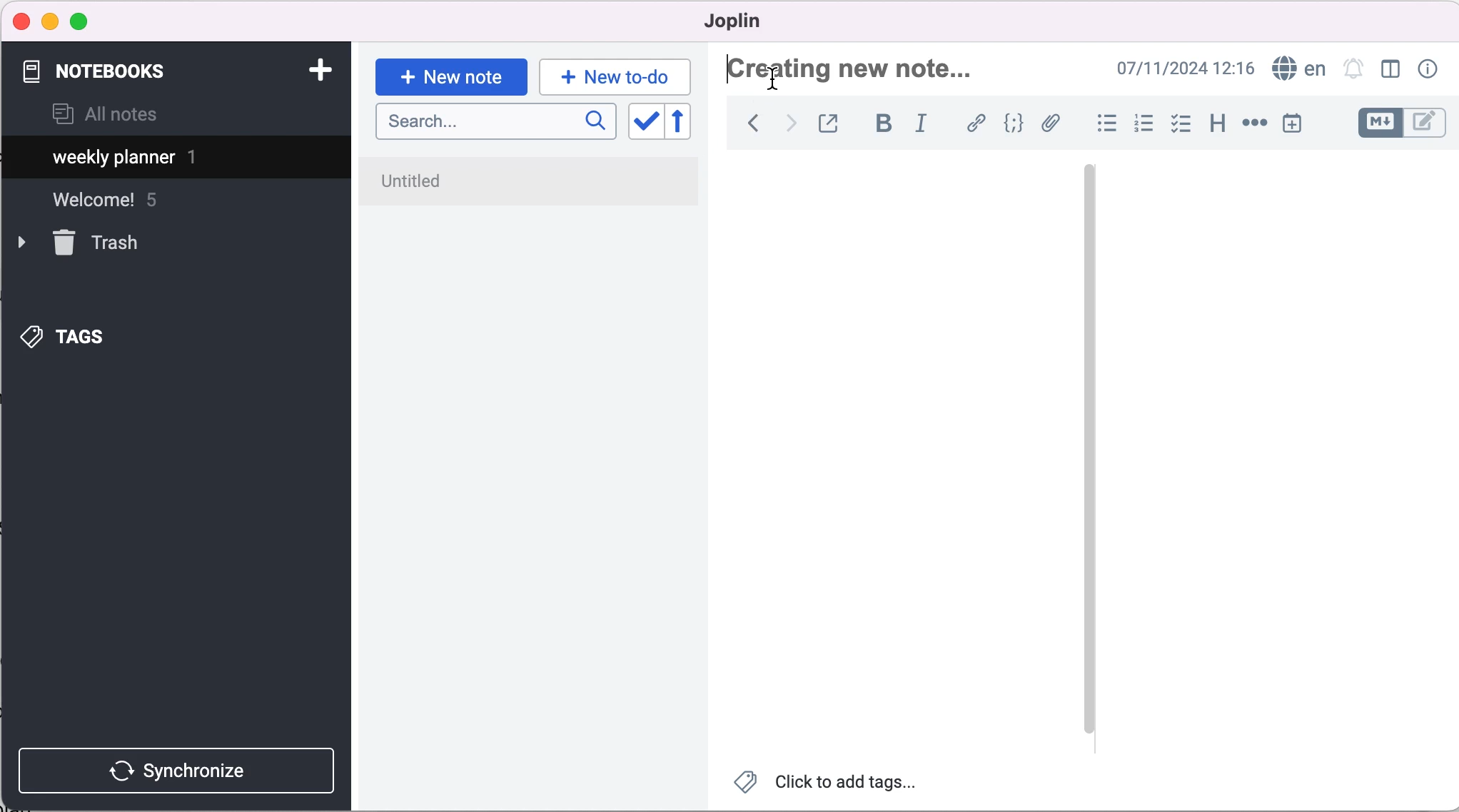 The image size is (1459, 812). What do you see at coordinates (836, 785) in the screenshot?
I see `click to add tags` at bounding box center [836, 785].